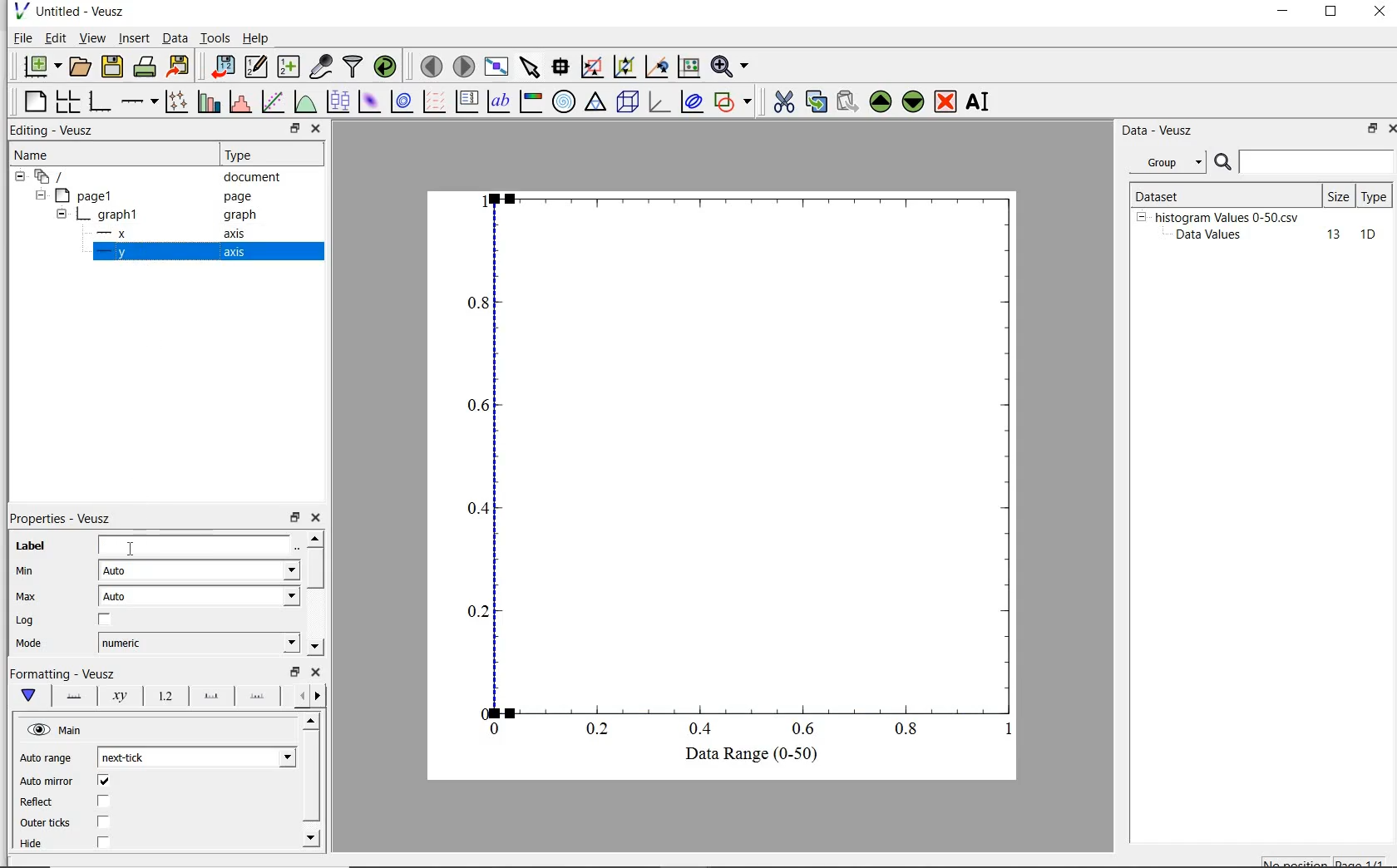 Image resolution: width=1397 pixels, height=868 pixels. I want to click on insert, so click(134, 38).